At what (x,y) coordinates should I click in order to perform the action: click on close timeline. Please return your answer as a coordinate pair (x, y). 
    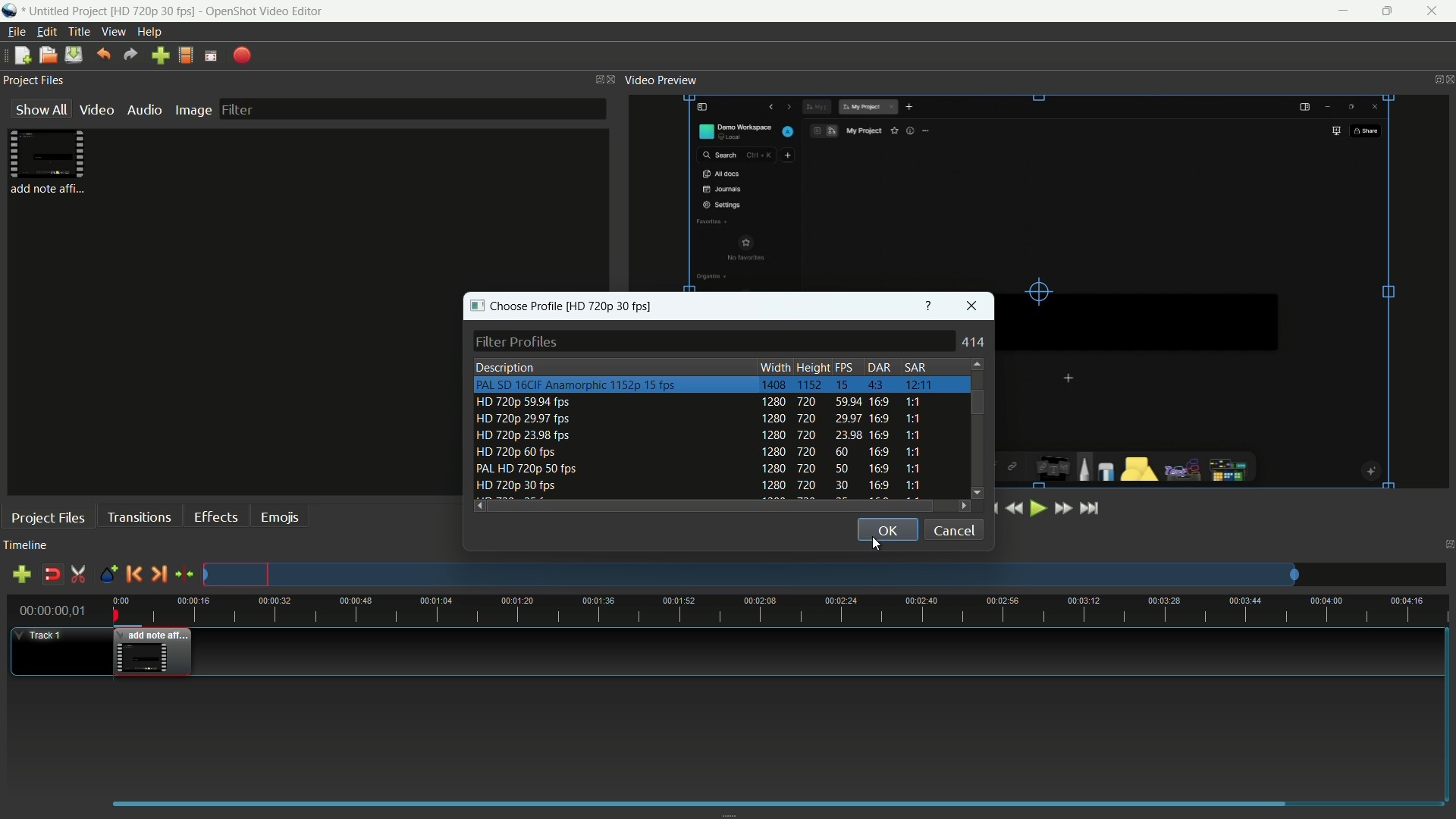
    Looking at the image, I should click on (1447, 545).